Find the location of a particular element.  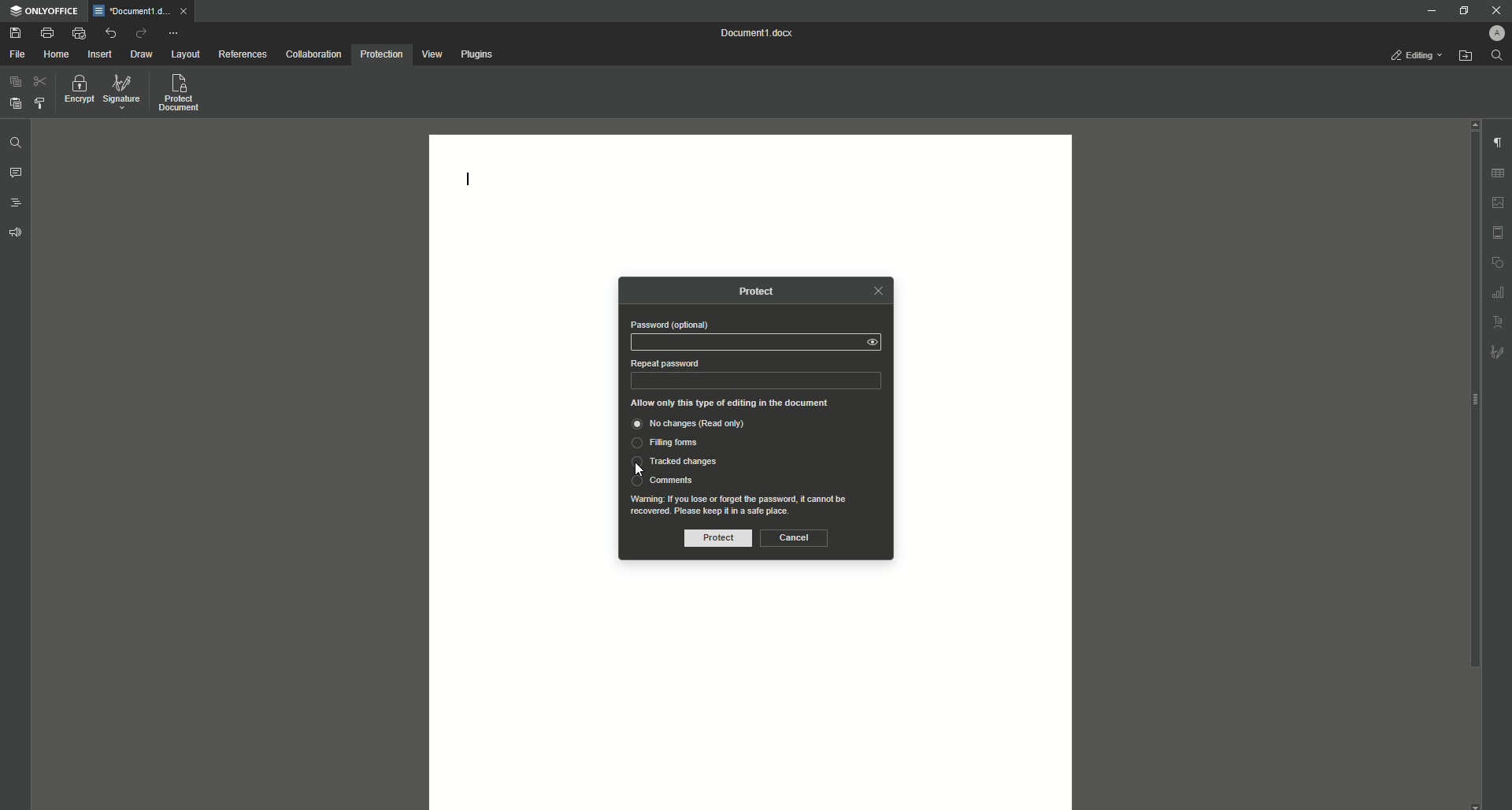

Graph Settings is located at coordinates (1499, 292).